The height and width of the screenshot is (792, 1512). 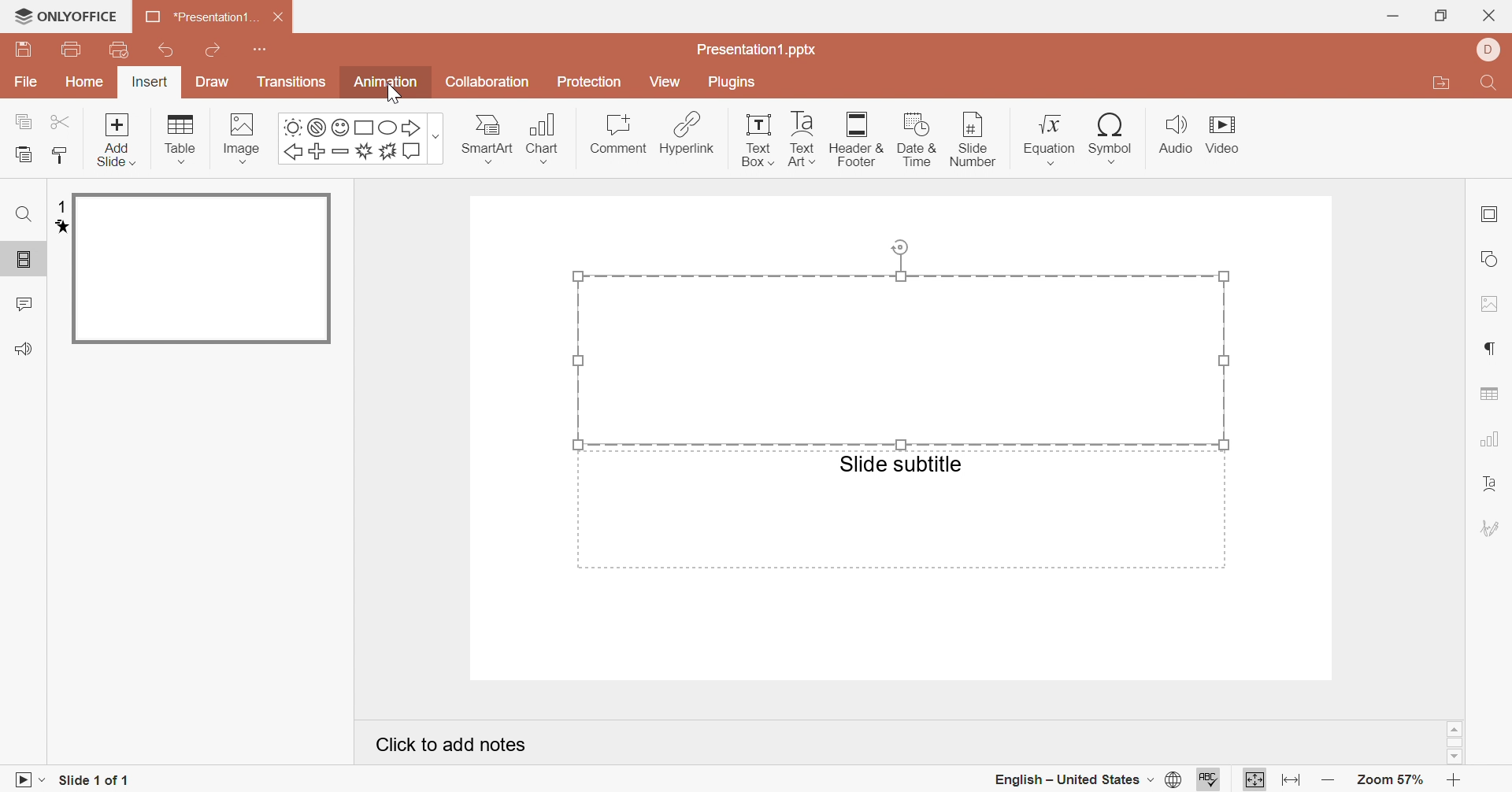 What do you see at coordinates (489, 83) in the screenshot?
I see `collaboration` at bounding box center [489, 83].